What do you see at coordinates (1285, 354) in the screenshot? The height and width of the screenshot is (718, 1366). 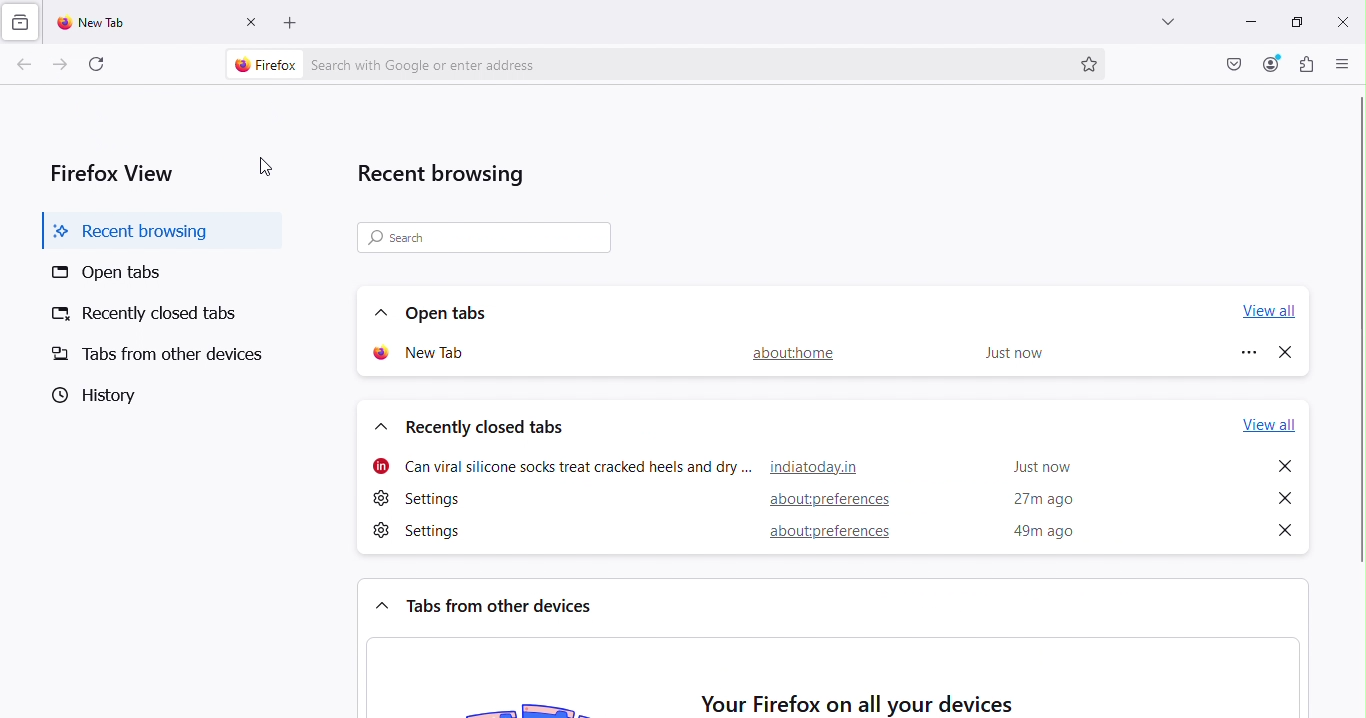 I see `Close new tab` at bounding box center [1285, 354].